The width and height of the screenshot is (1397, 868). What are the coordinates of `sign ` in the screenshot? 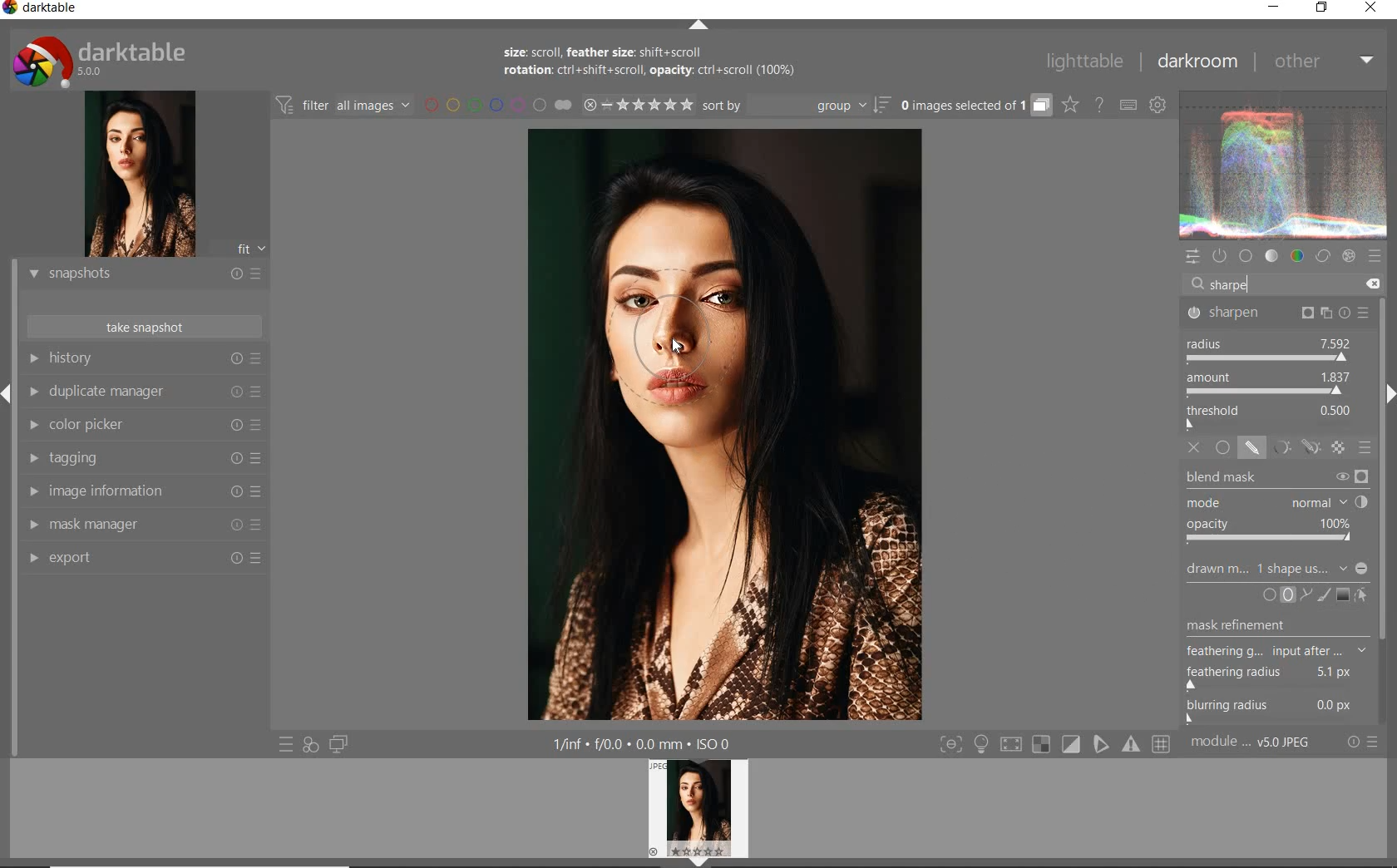 It's located at (1376, 257).